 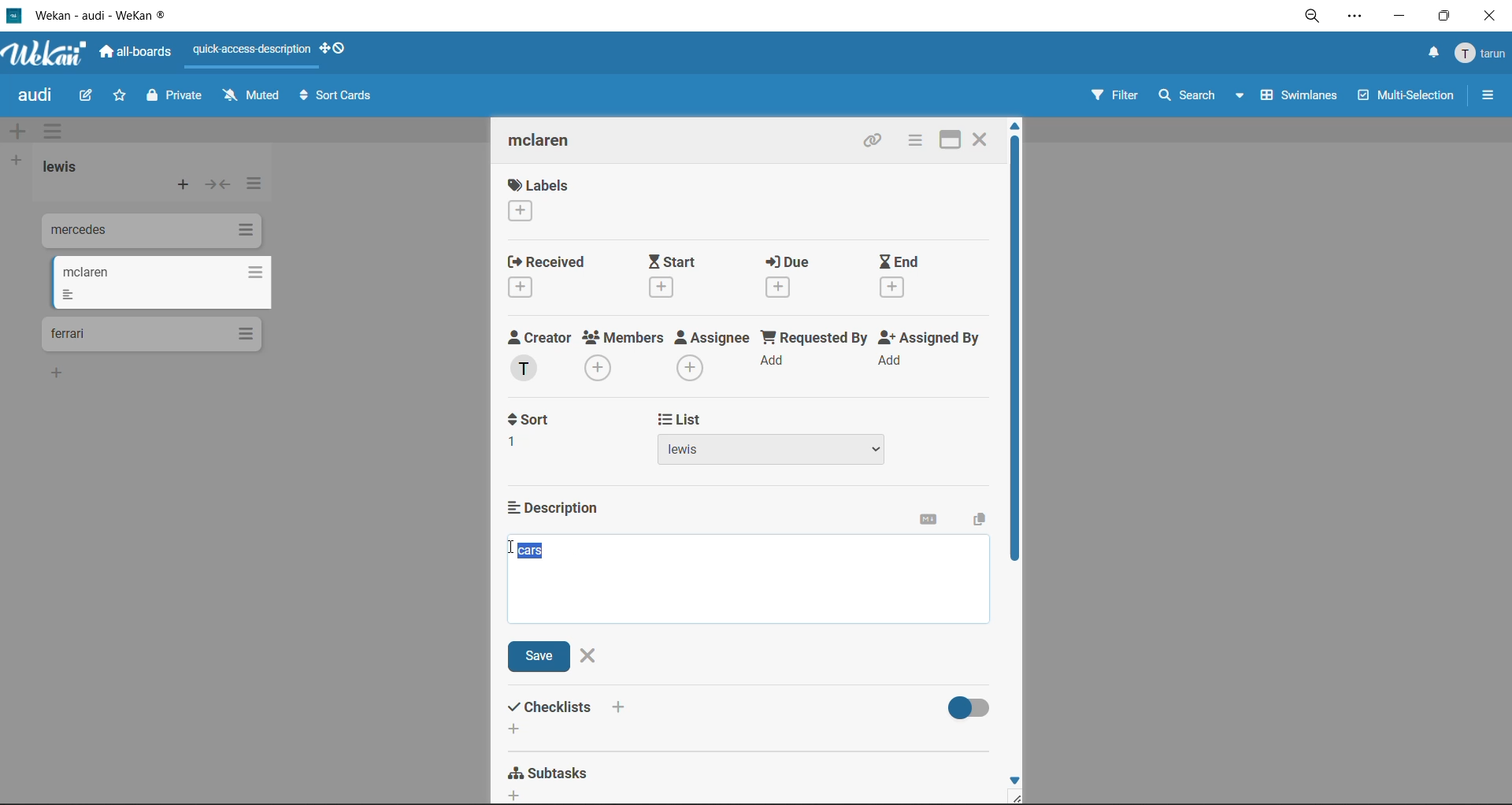 What do you see at coordinates (533, 551) in the screenshot?
I see `selected description` at bounding box center [533, 551].